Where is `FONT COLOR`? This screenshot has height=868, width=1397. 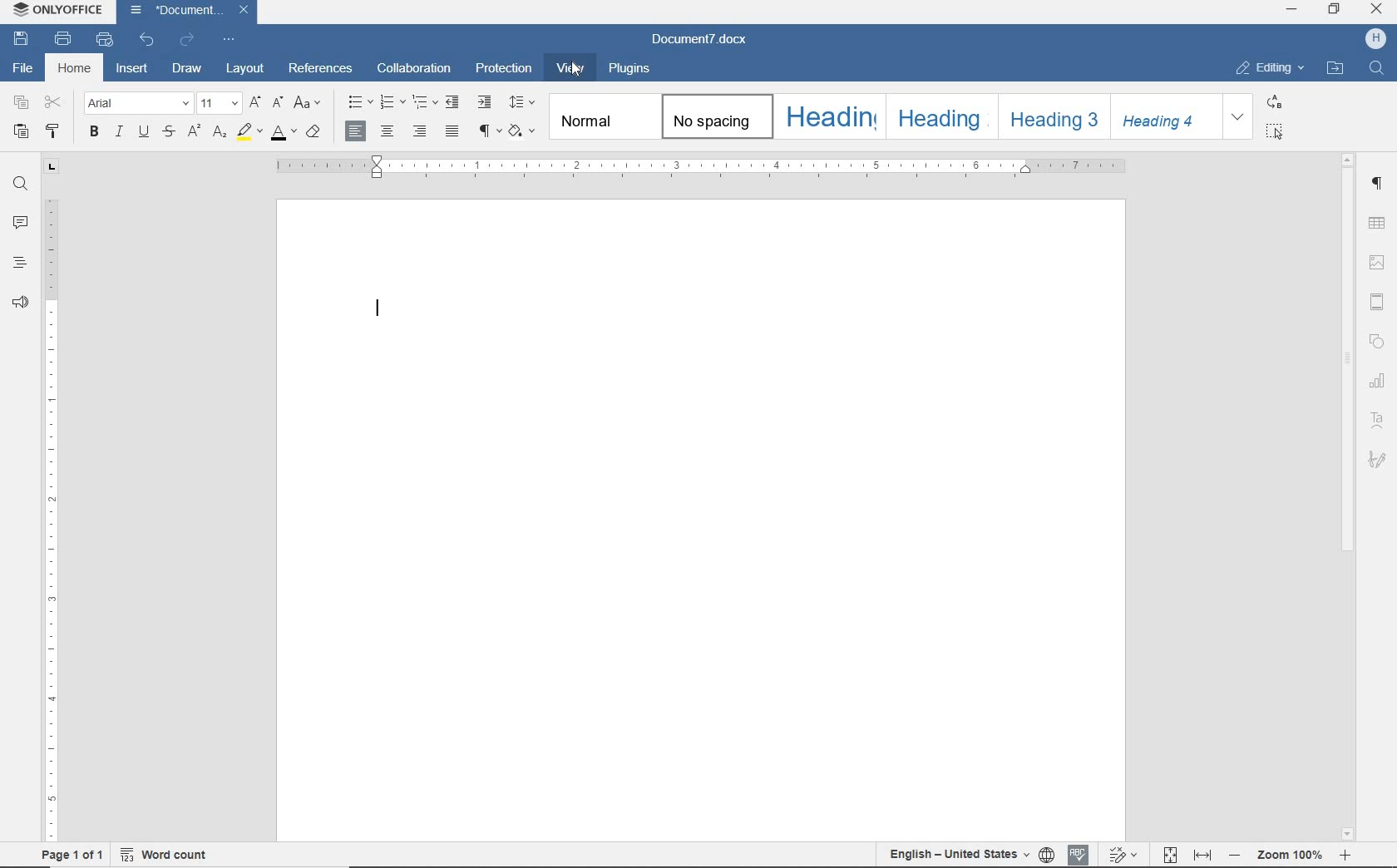
FONT COLOR is located at coordinates (284, 133).